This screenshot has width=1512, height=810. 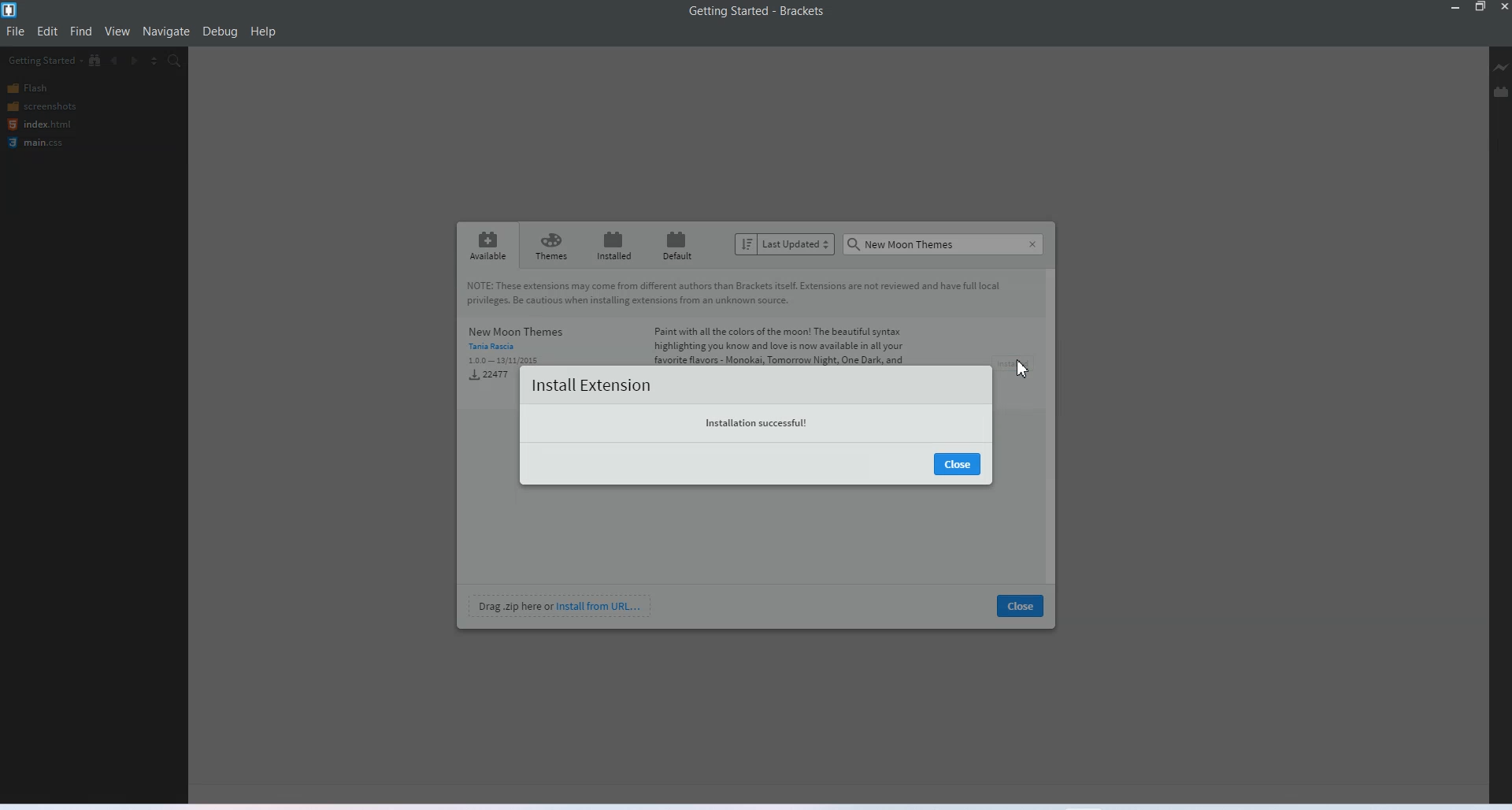 What do you see at coordinates (613, 245) in the screenshot?
I see `installed` at bounding box center [613, 245].